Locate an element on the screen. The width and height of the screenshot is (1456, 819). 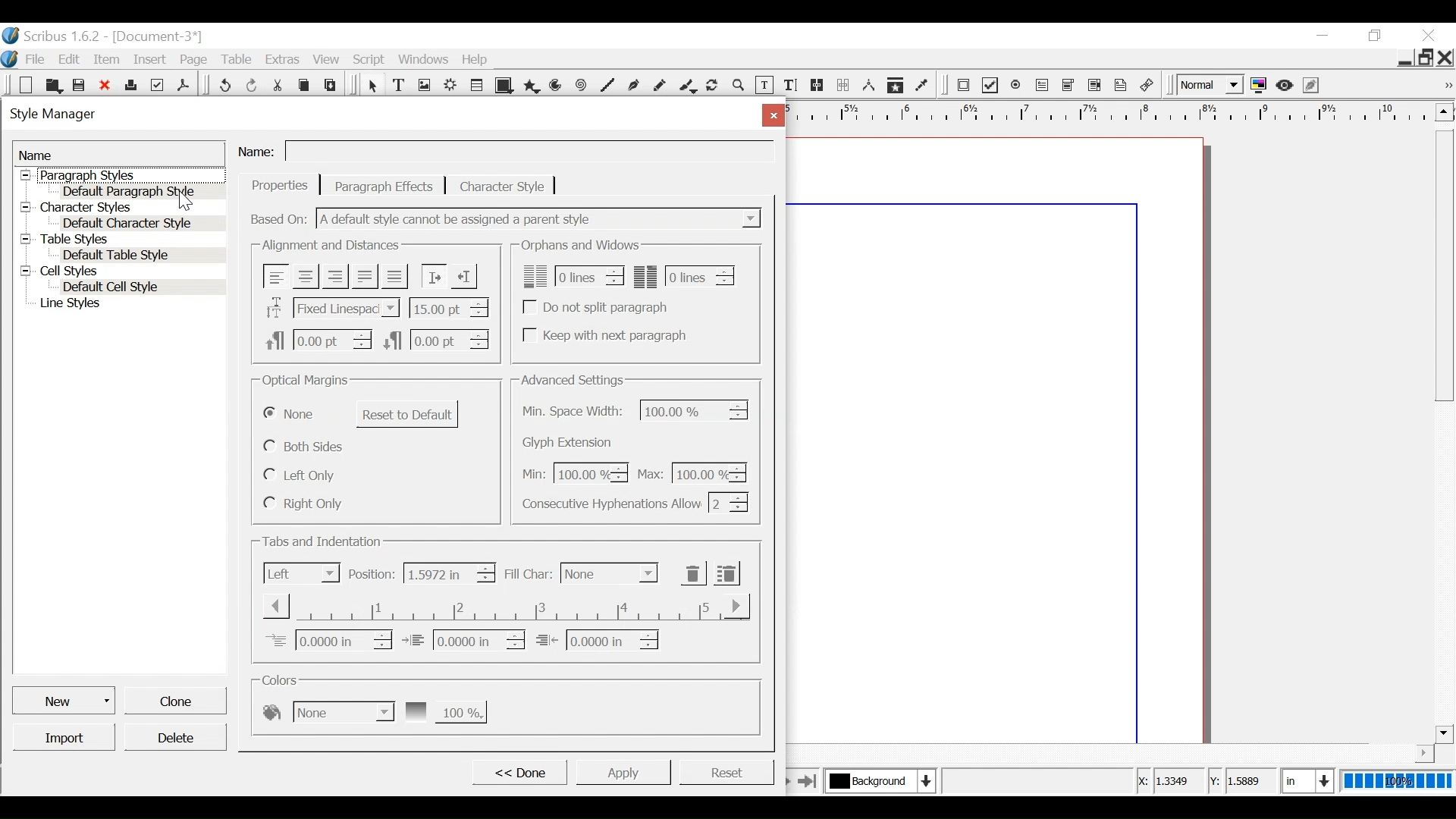
Space Above is located at coordinates (318, 338).